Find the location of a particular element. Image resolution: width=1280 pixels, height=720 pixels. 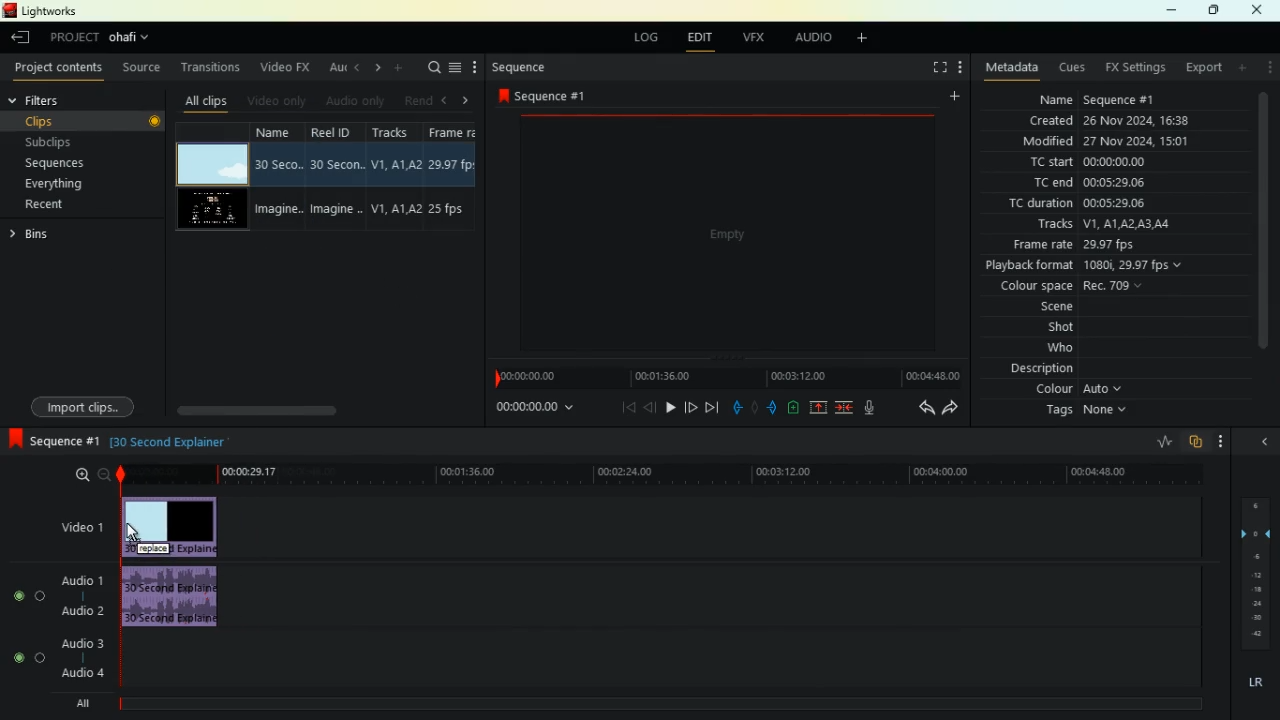

add is located at coordinates (952, 99).